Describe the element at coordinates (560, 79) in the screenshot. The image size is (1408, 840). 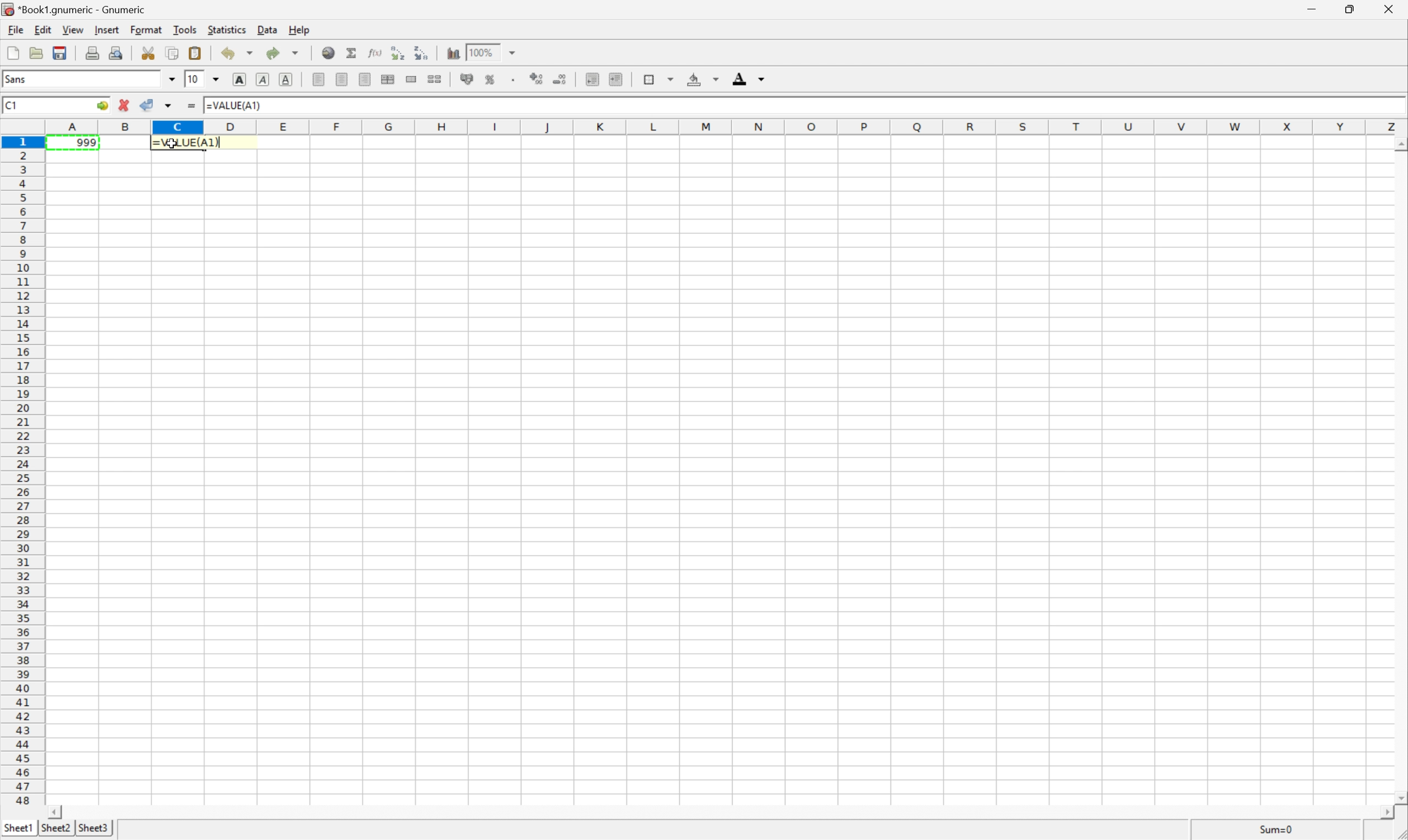
I see `decrease number of decimals displayed` at that location.